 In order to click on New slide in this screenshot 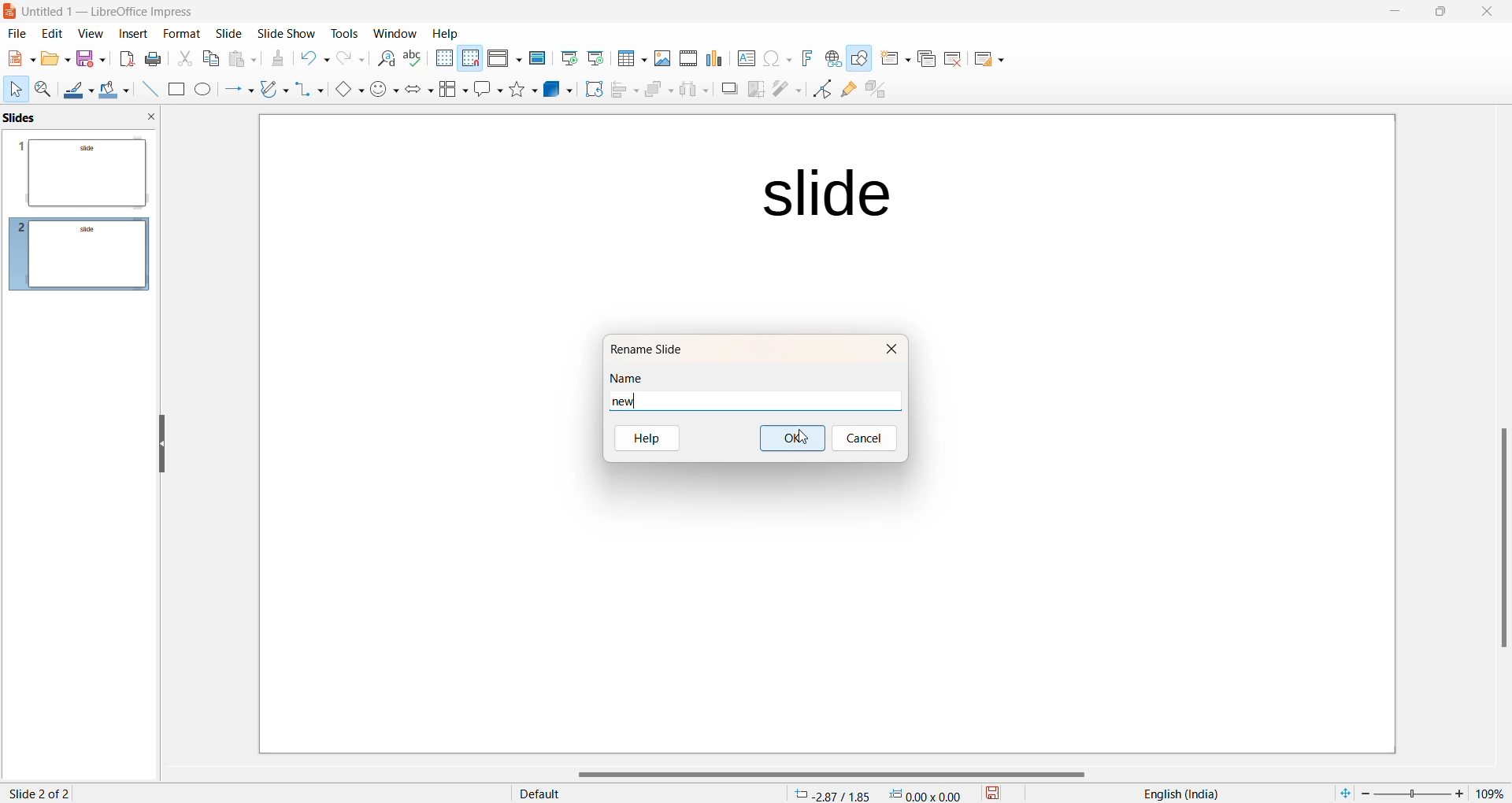, I will do `click(892, 60)`.